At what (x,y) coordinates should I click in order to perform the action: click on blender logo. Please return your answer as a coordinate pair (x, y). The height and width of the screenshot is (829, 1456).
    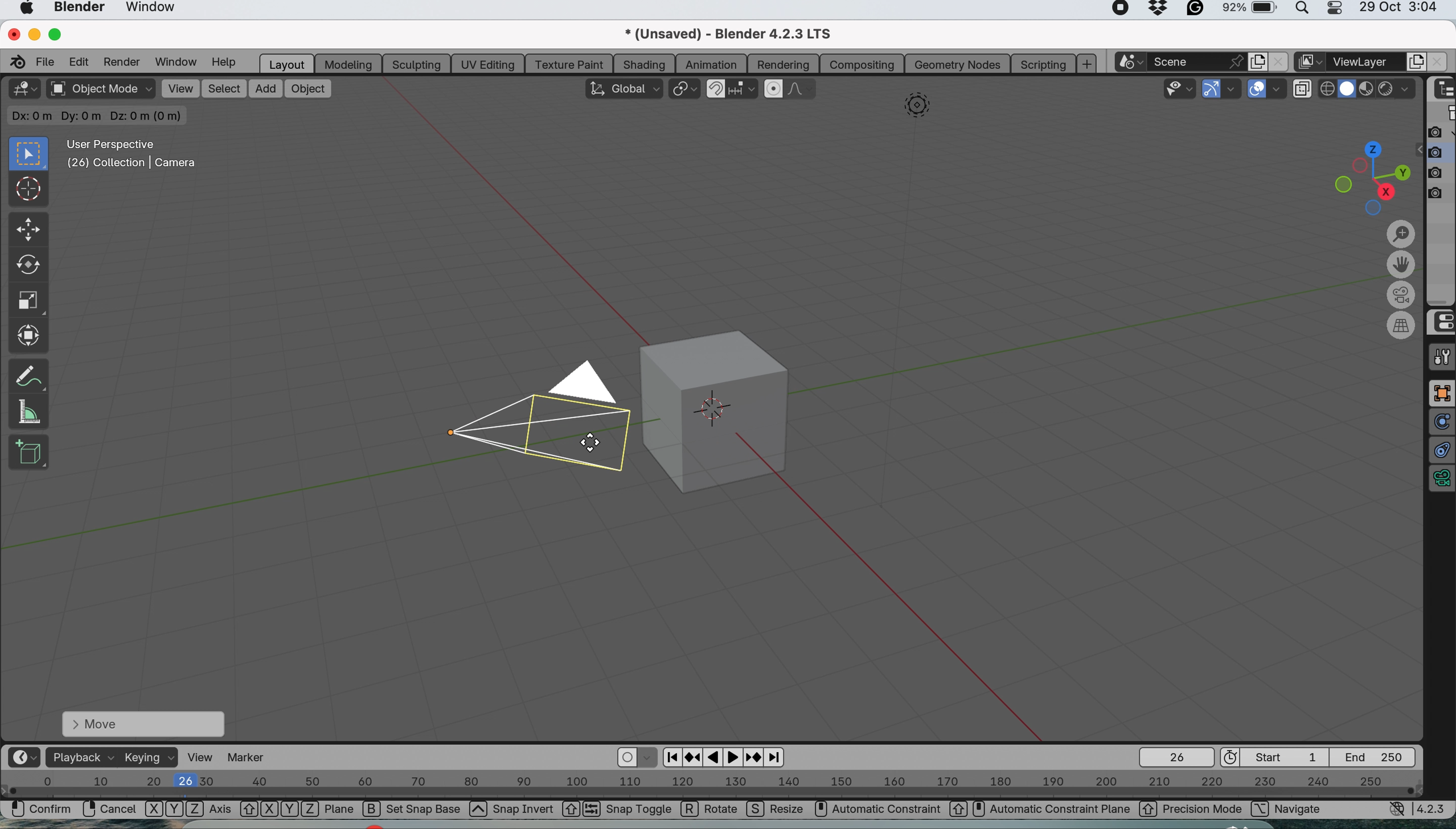
    Looking at the image, I should click on (15, 61).